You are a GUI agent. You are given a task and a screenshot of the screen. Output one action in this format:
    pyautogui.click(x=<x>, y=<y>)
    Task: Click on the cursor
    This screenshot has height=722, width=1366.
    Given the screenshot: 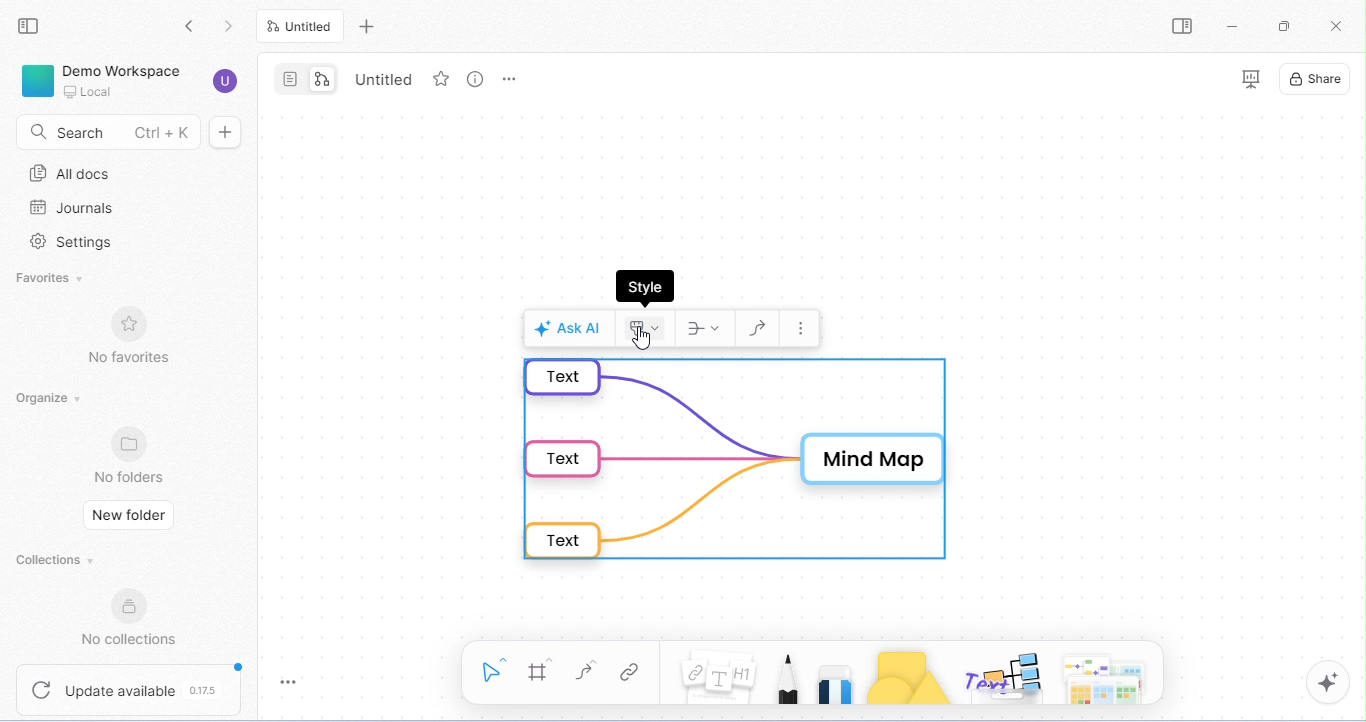 What is the action you would take?
    pyautogui.click(x=640, y=340)
    